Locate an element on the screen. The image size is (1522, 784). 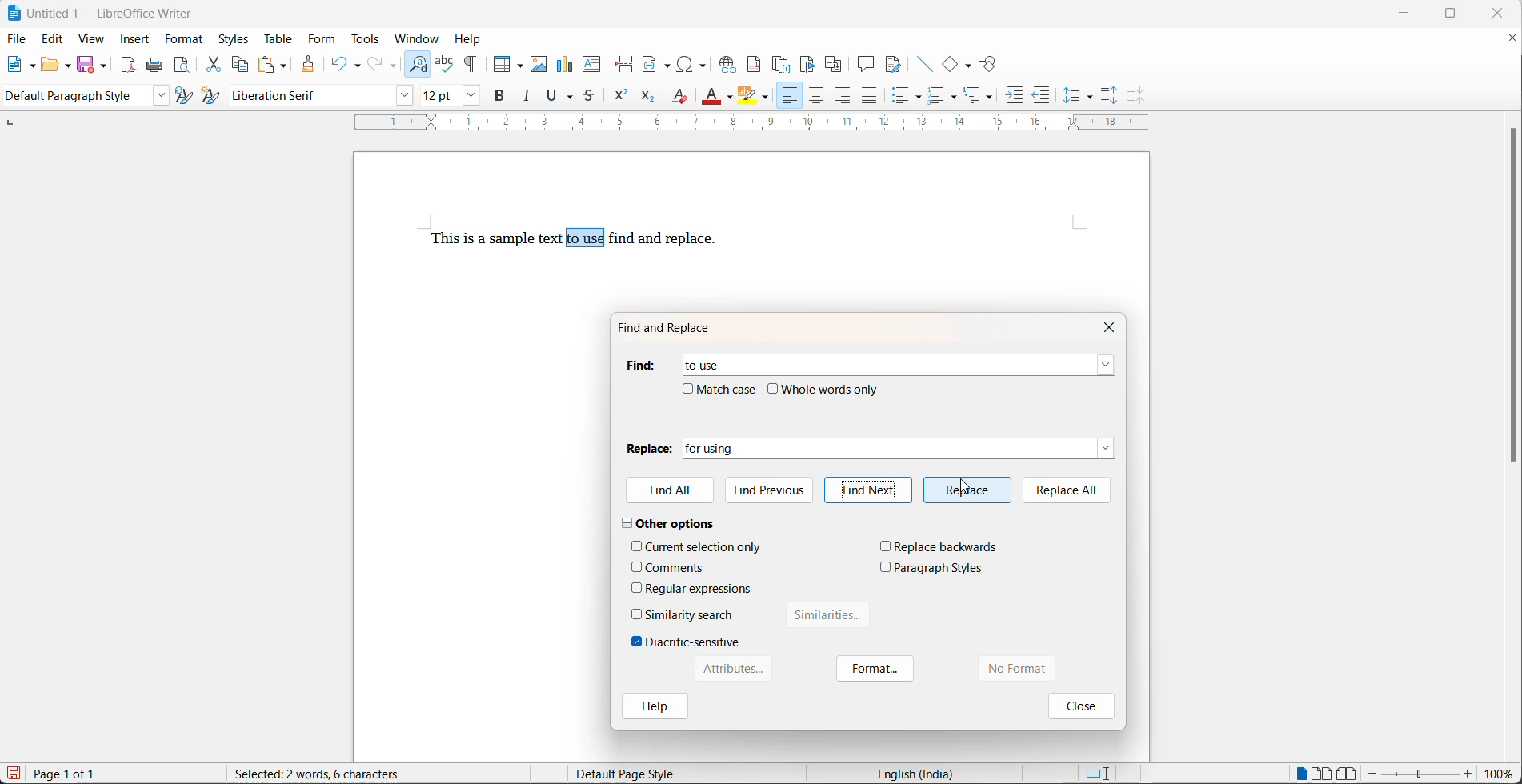
save is located at coordinates (86, 63).